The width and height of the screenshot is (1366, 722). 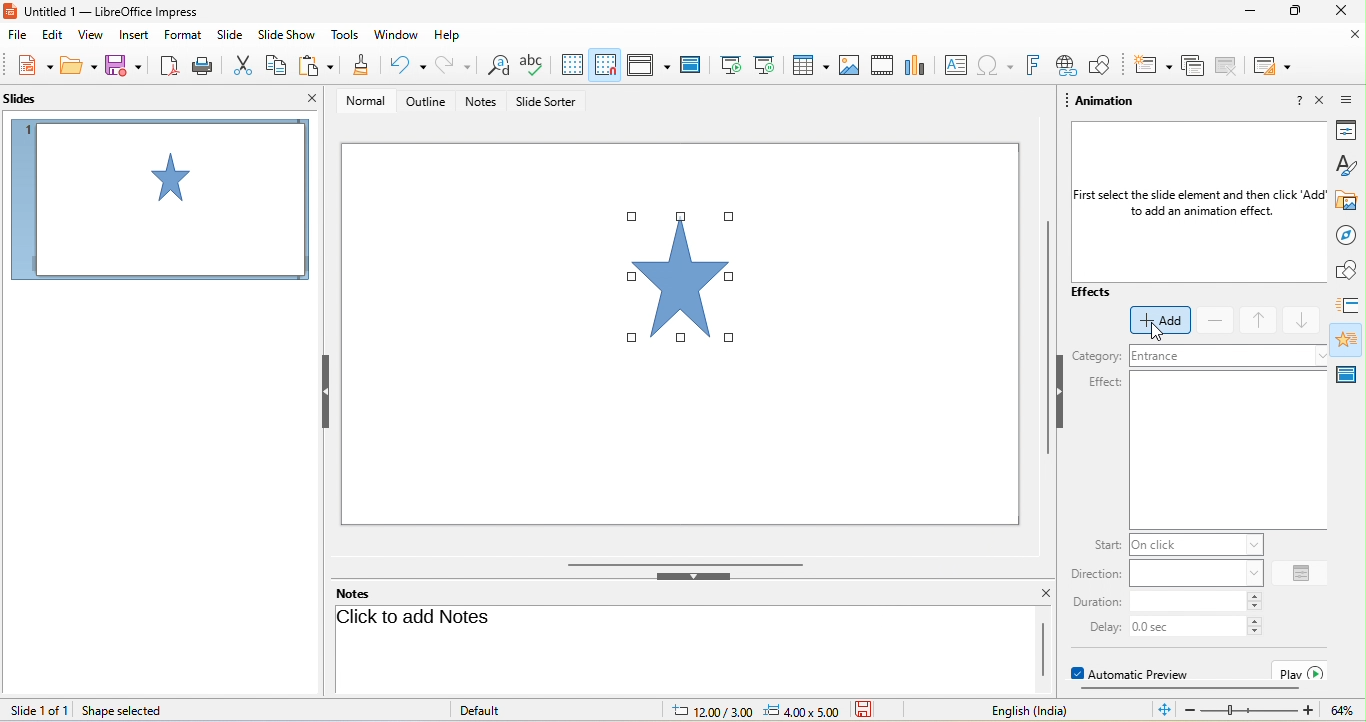 What do you see at coordinates (1098, 626) in the screenshot?
I see `delay` at bounding box center [1098, 626].